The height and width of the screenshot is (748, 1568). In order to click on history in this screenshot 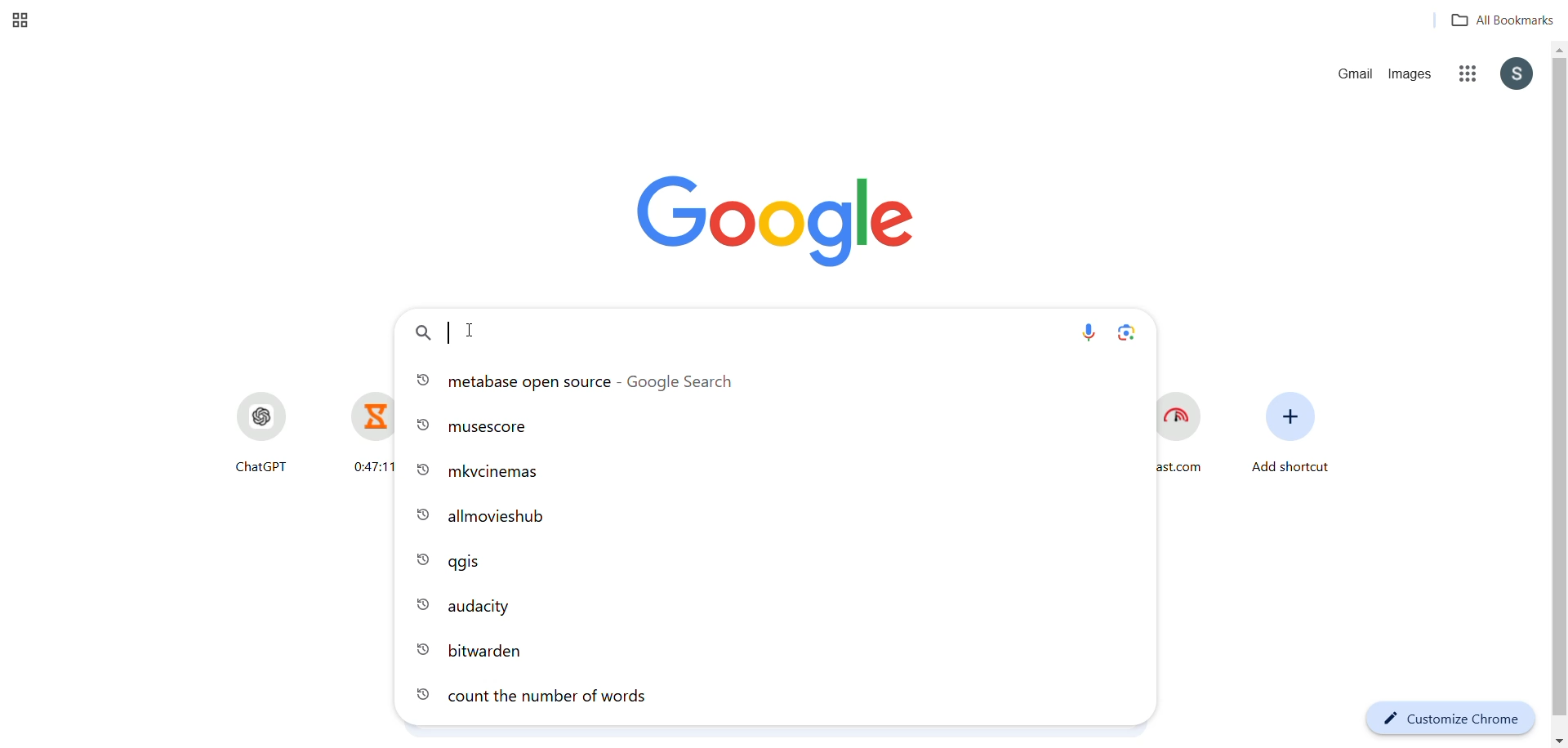, I will do `click(777, 549)`.